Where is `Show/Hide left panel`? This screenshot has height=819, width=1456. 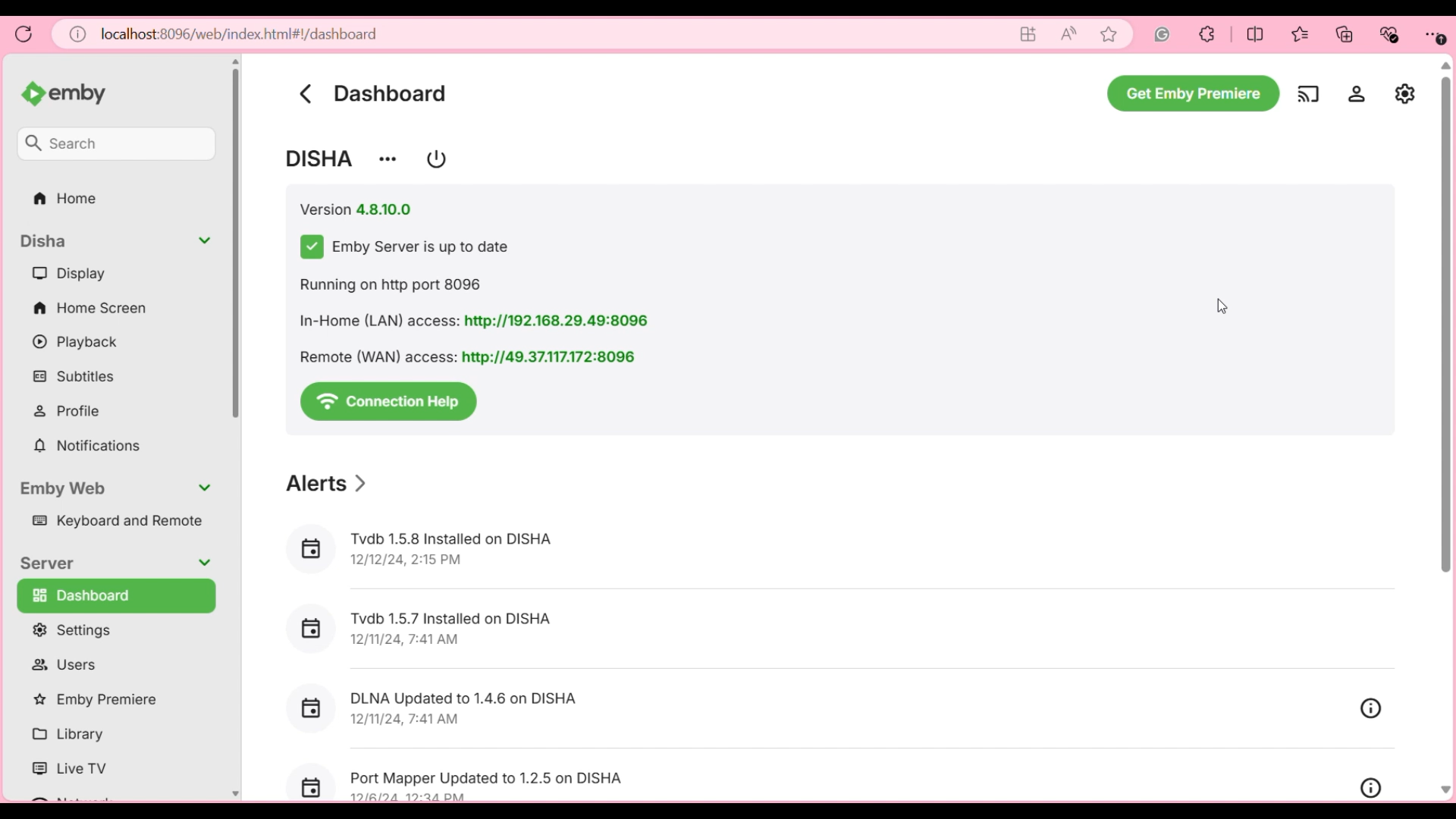
Show/Hide left panel is located at coordinates (35, 92).